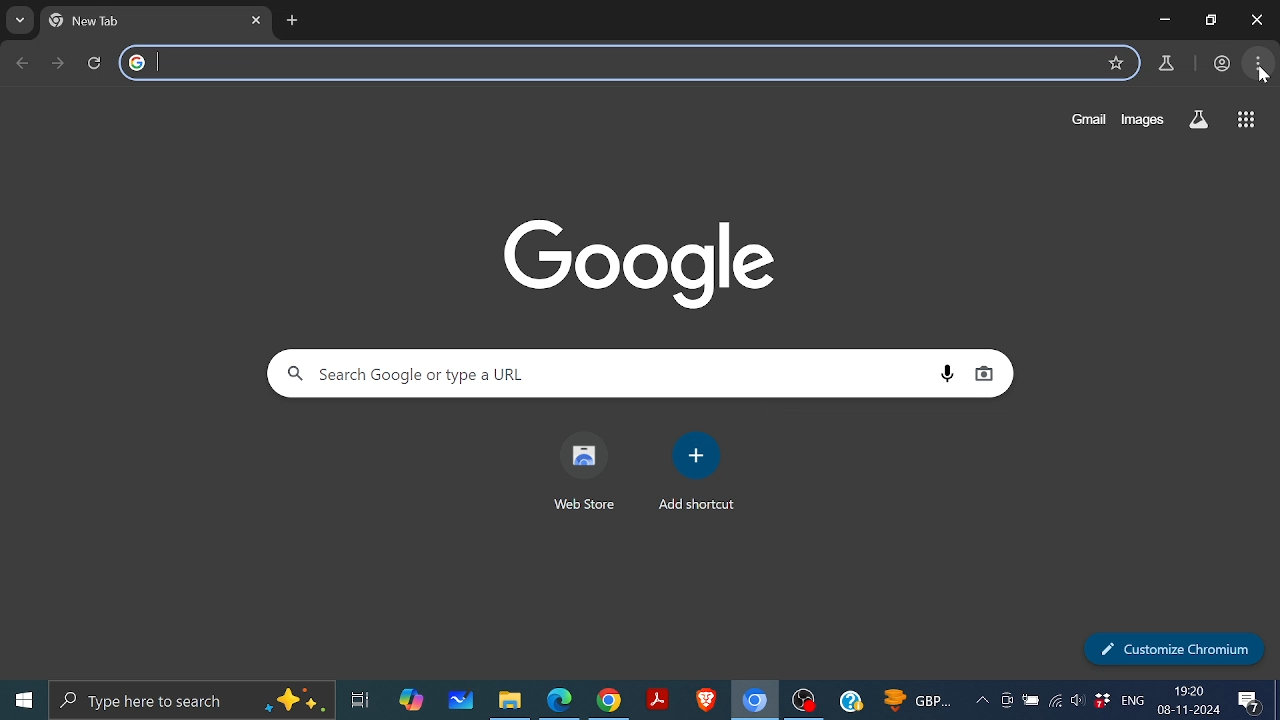  I want to click on Google Icon, so click(646, 261).